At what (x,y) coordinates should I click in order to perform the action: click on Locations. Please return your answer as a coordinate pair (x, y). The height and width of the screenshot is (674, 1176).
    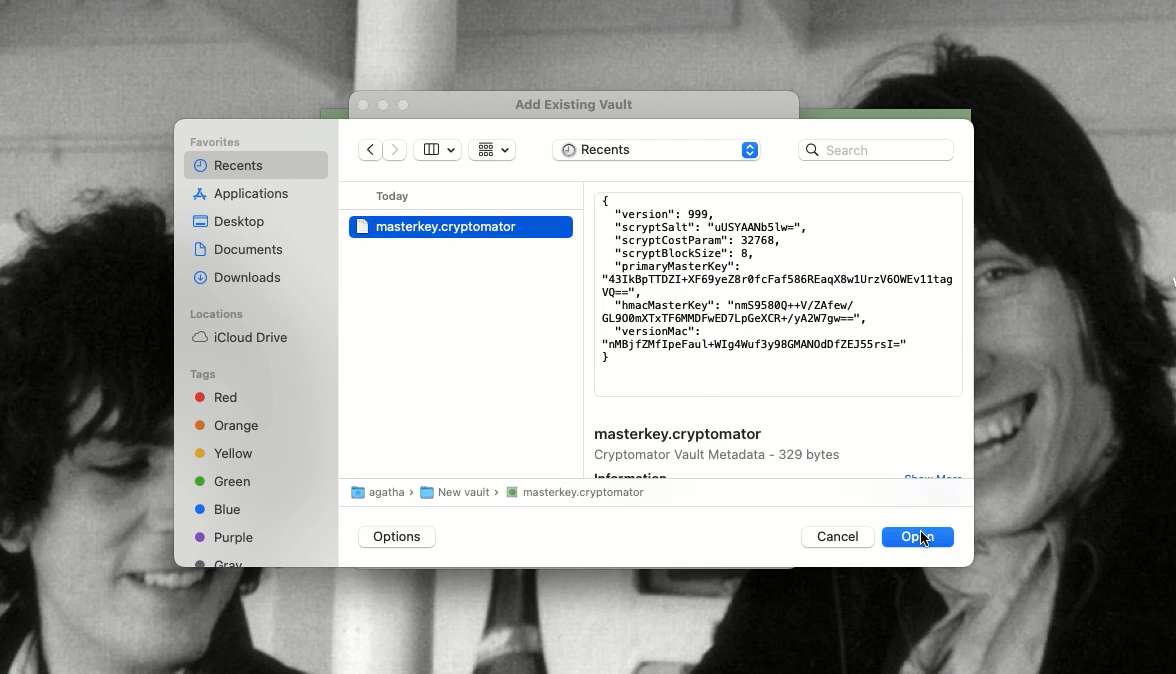
    Looking at the image, I should click on (216, 314).